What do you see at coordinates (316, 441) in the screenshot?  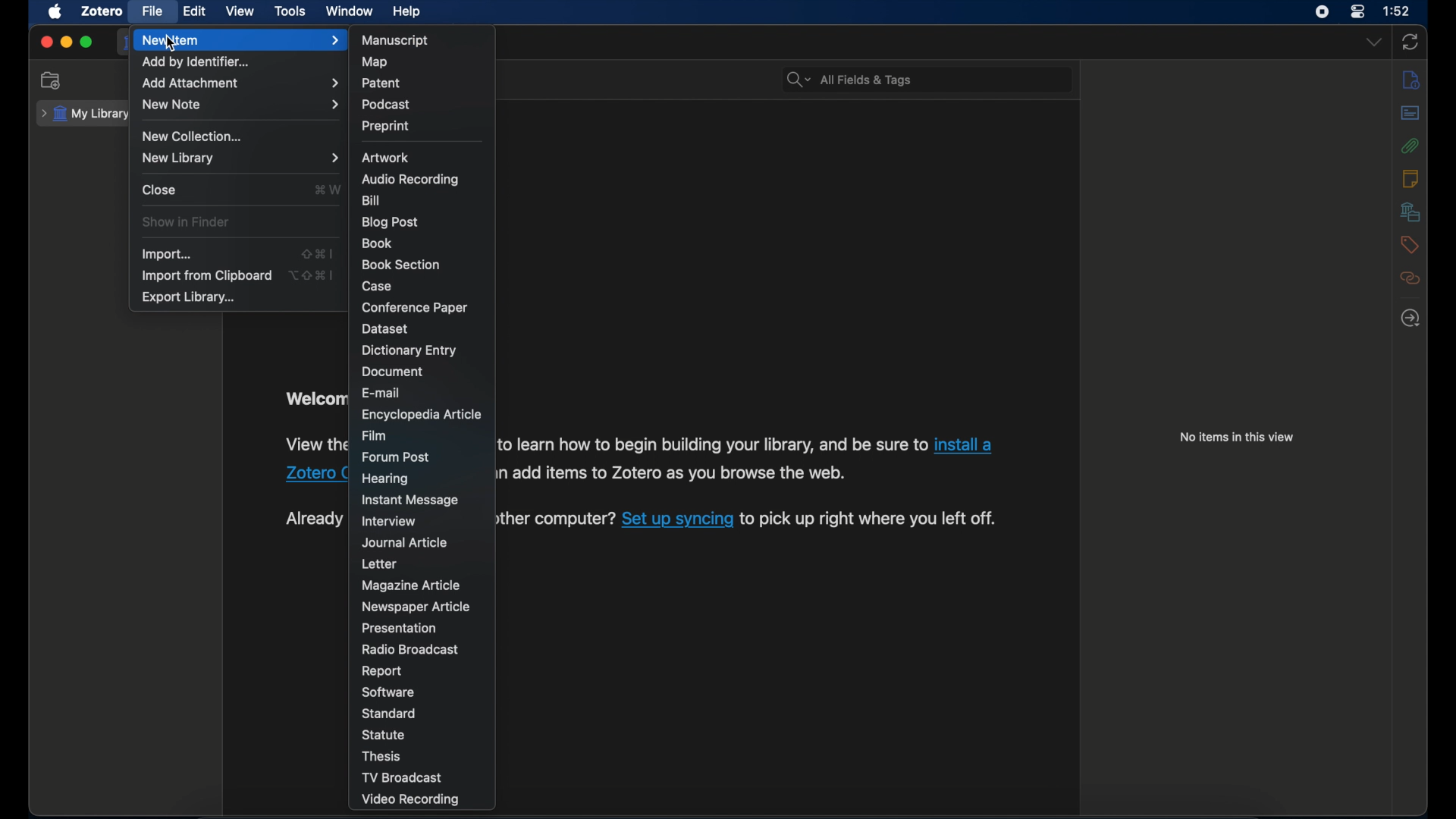 I see `View the` at bounding box center [316, 441].